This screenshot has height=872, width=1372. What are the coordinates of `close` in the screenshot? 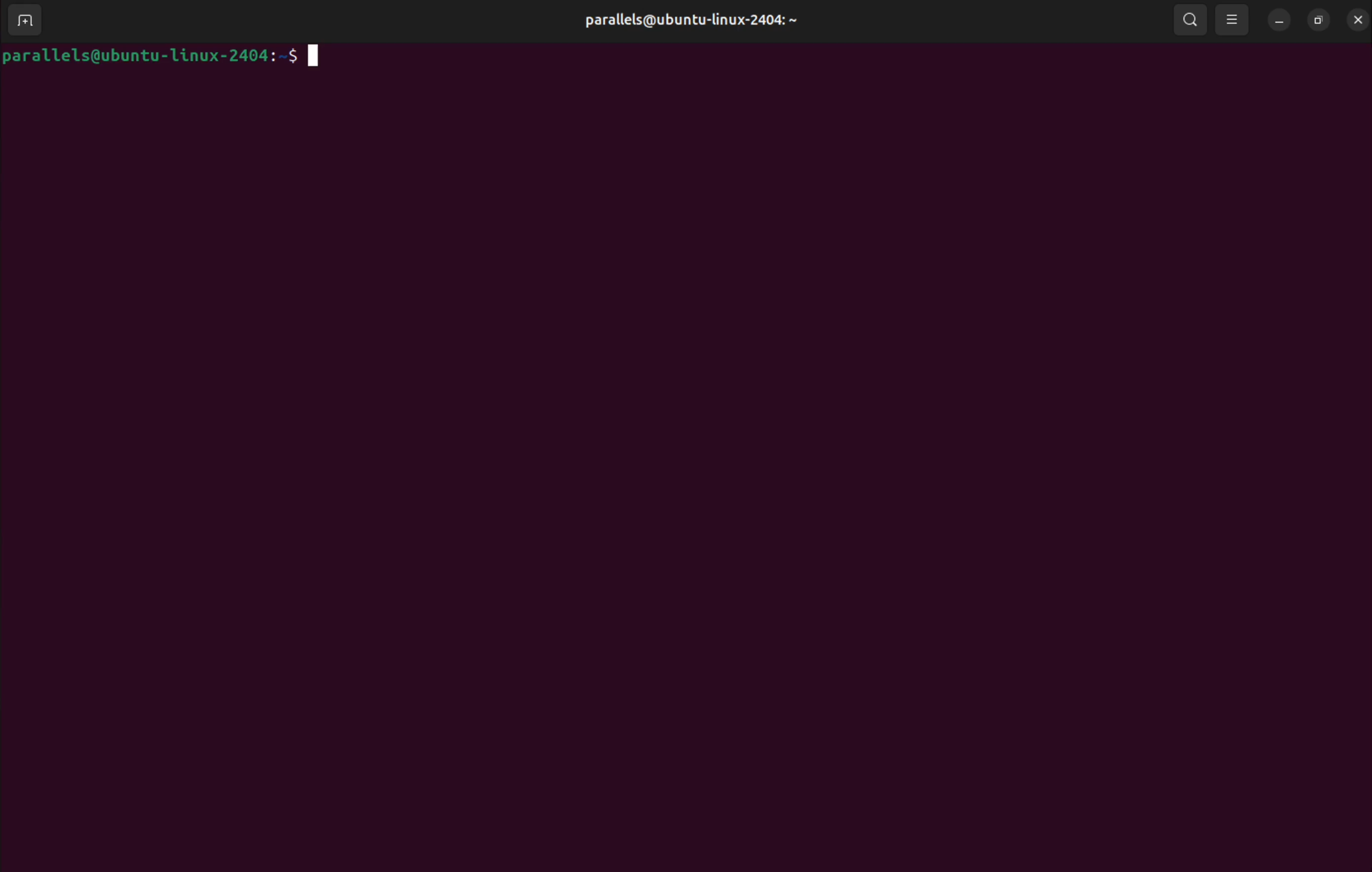 It's located at (1358, 20).